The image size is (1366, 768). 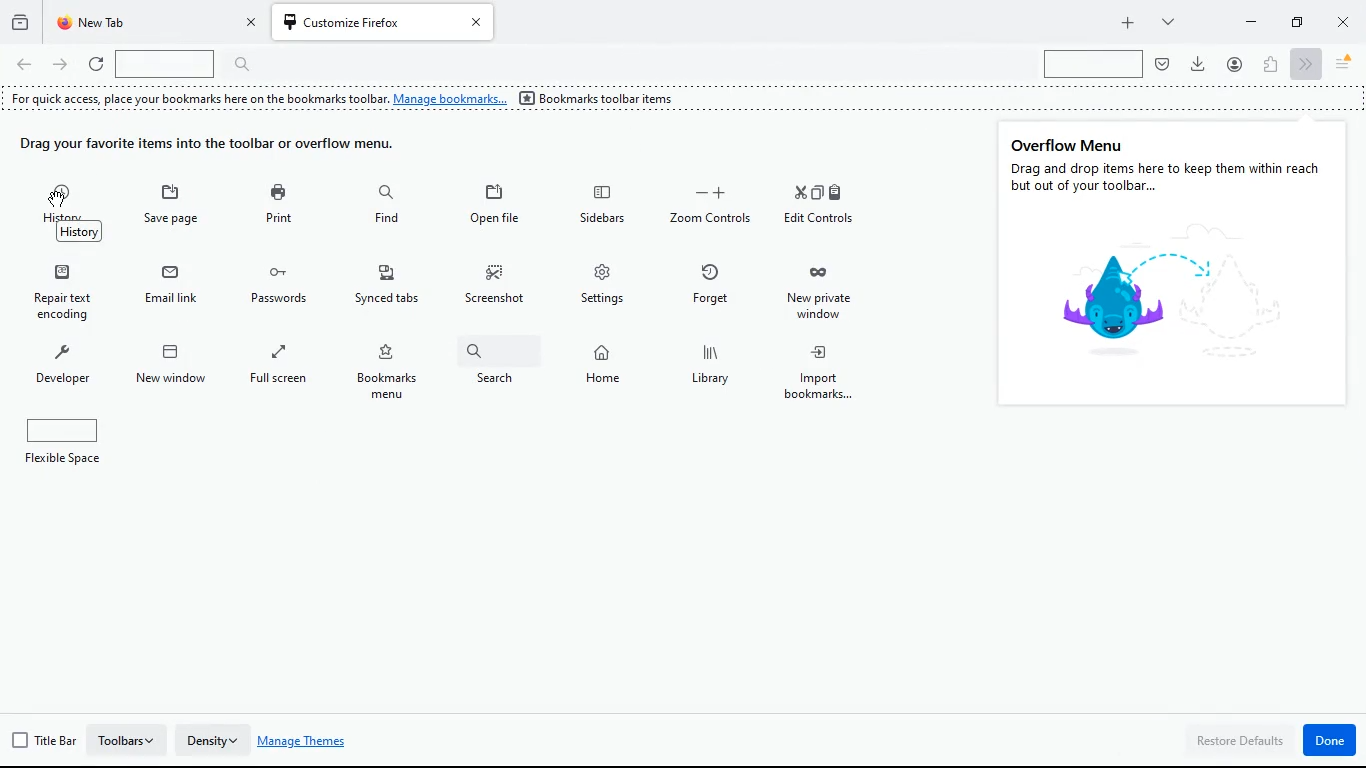 I want to click on repair text encoding, so click(x=65, y=291).